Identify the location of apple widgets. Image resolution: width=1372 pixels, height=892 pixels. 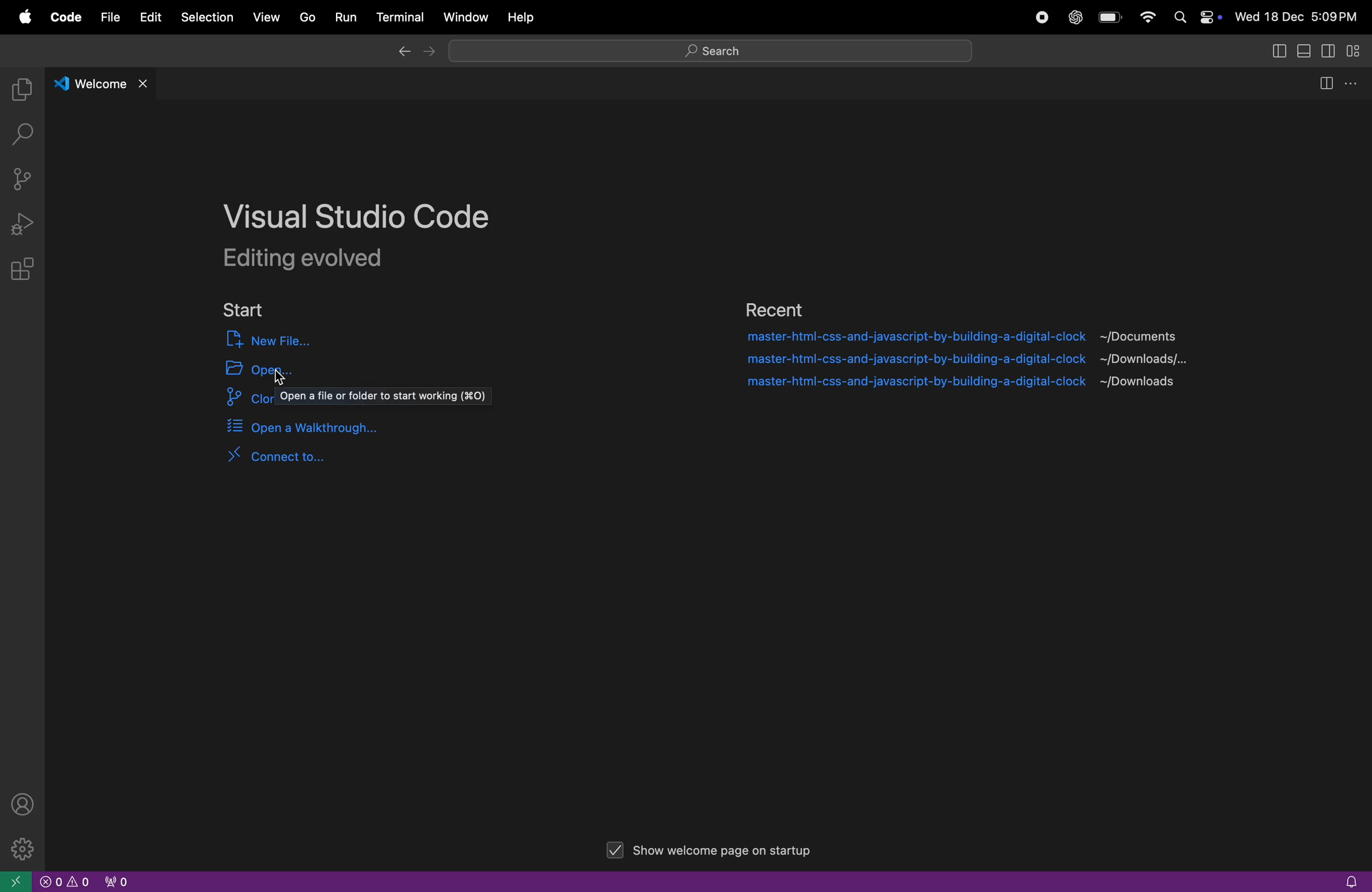
(1195, 16).